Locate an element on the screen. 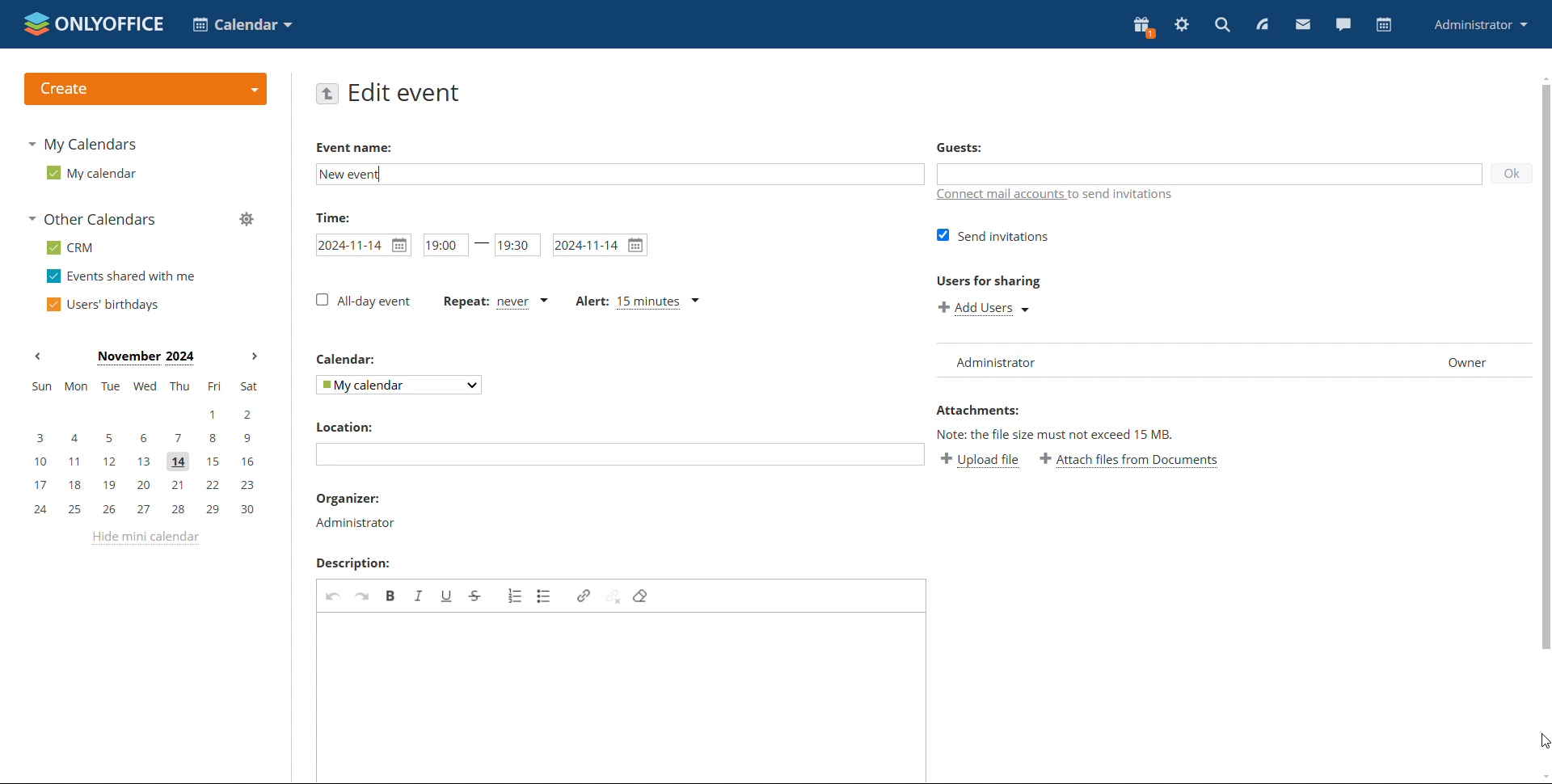 The image size is (1552, 784). scroll down is located at coordinates (1542, 778).